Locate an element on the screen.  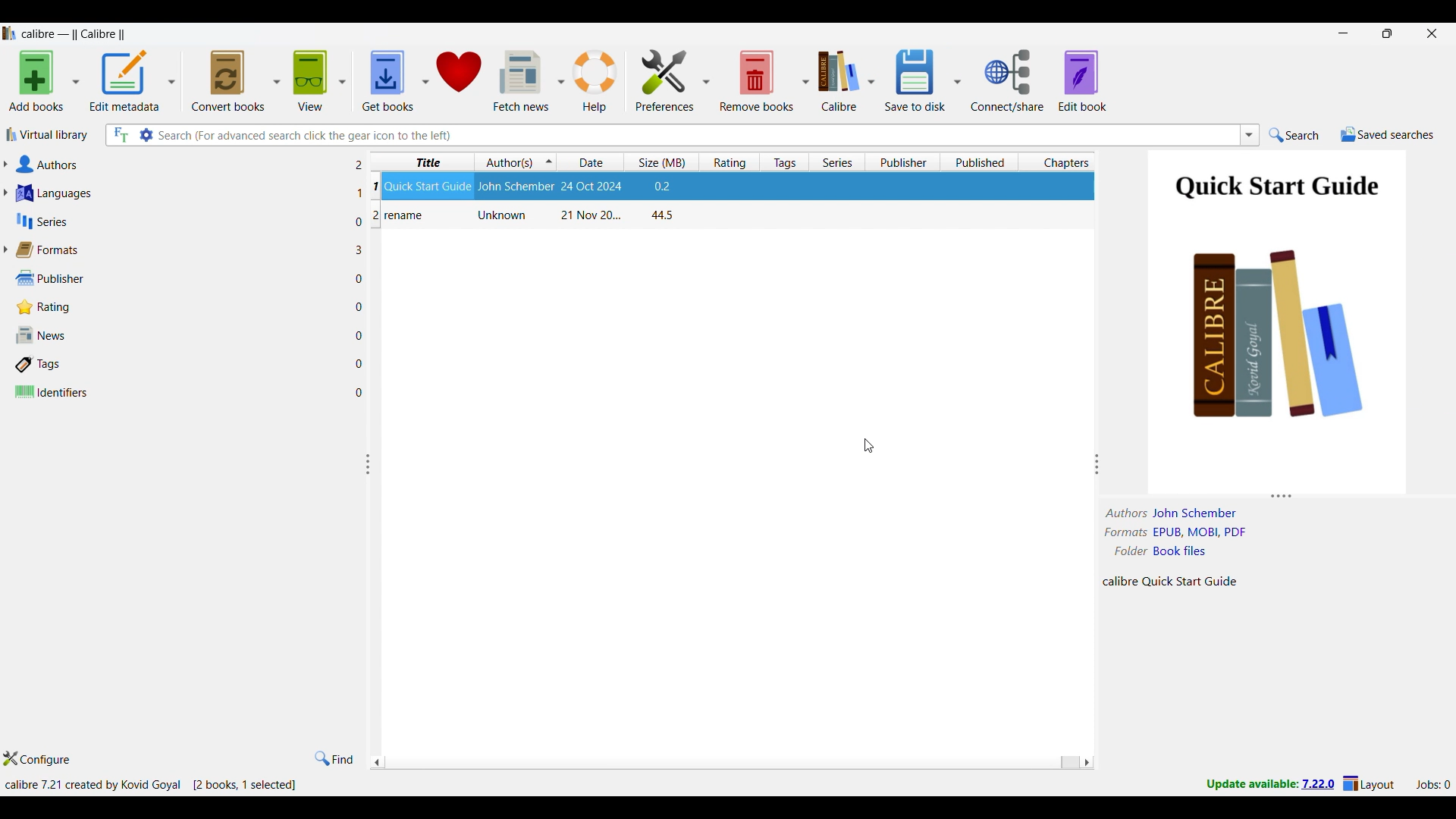
Layout settings is located at coordinates (1369, 783).